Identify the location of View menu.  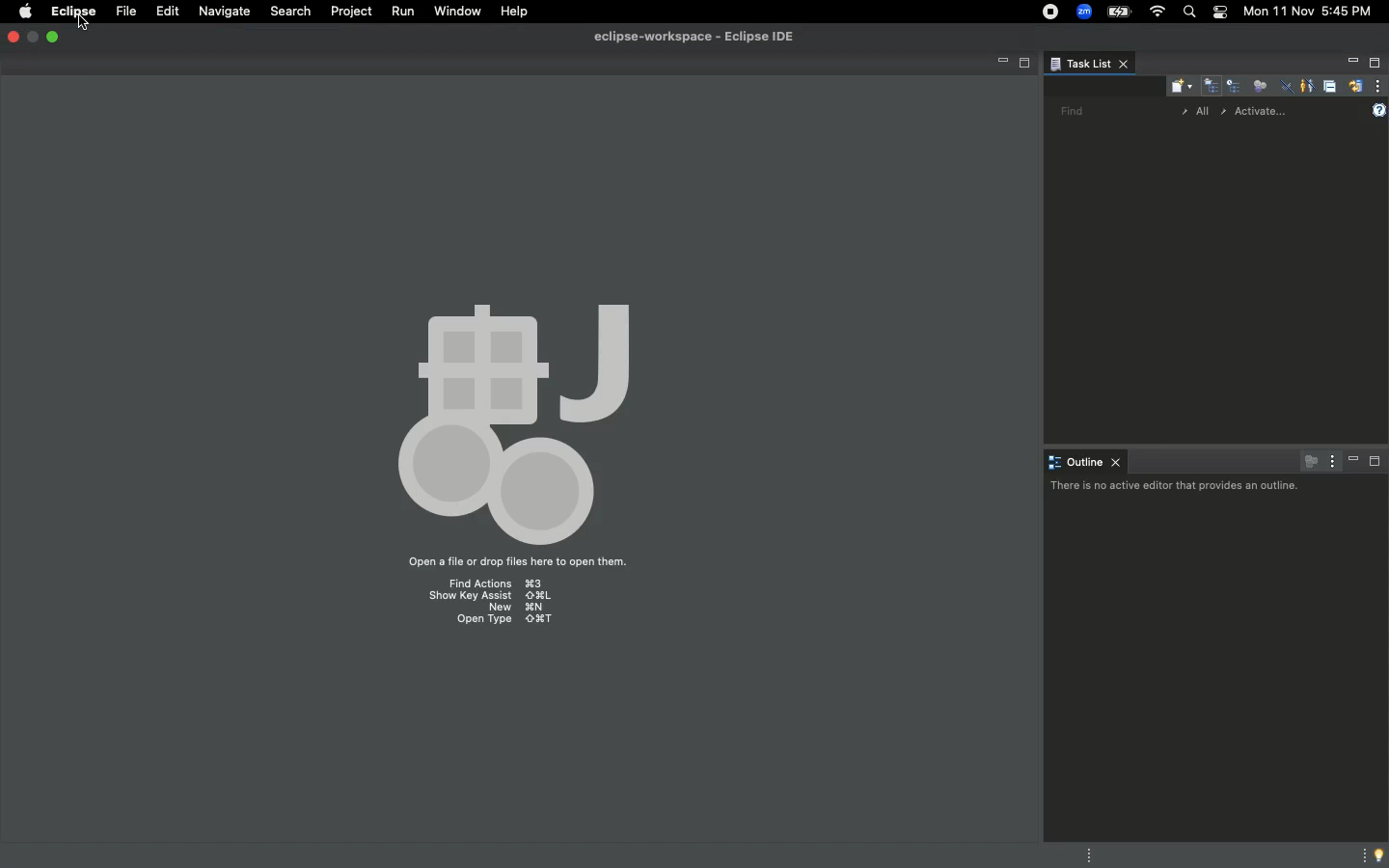
(1379, 86).